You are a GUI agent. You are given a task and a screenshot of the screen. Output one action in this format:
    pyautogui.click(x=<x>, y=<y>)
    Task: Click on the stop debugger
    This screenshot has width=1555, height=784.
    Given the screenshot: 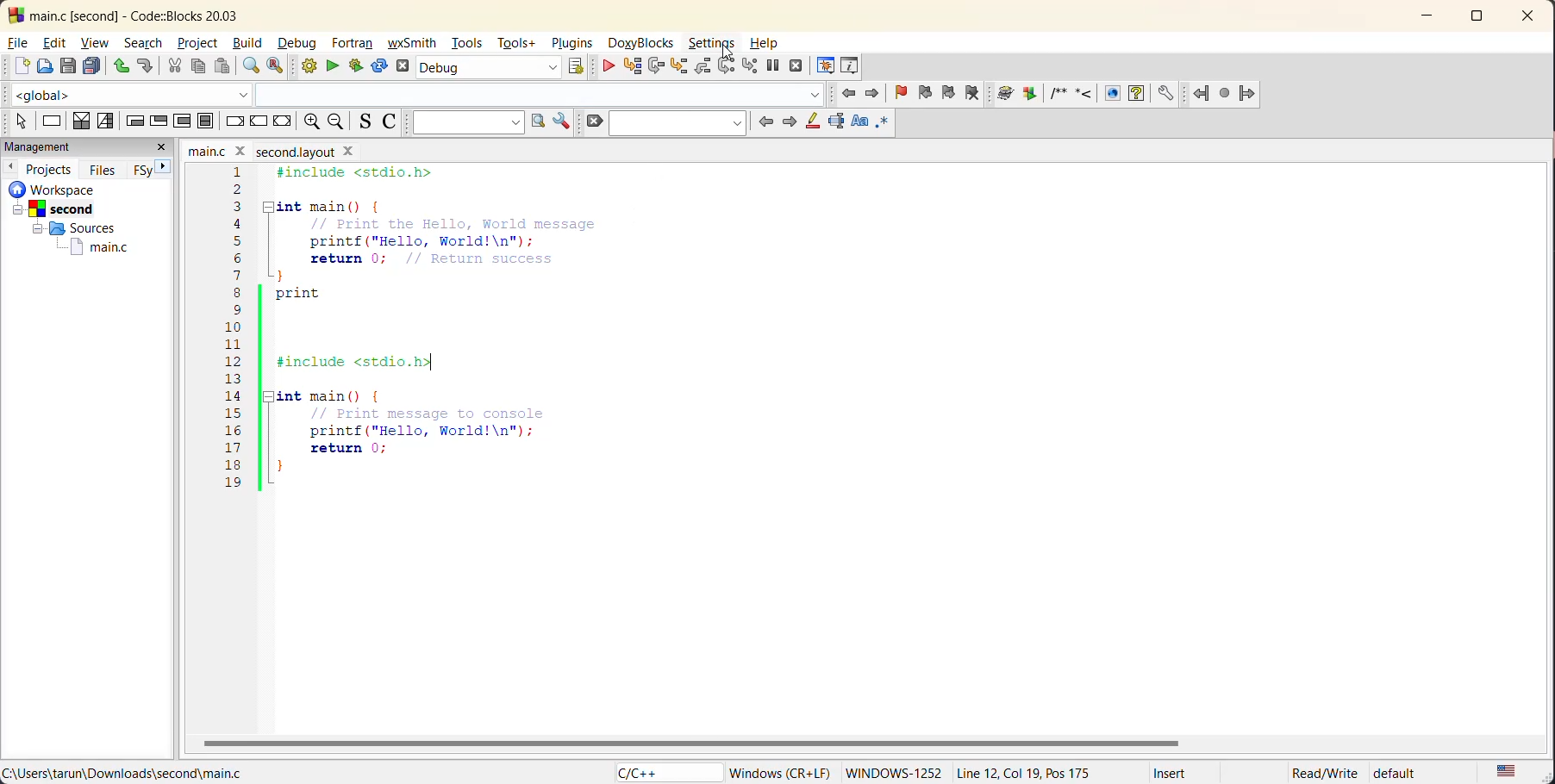 What is the action you would take?
    pyautogui.click(x=797, y=67)
    